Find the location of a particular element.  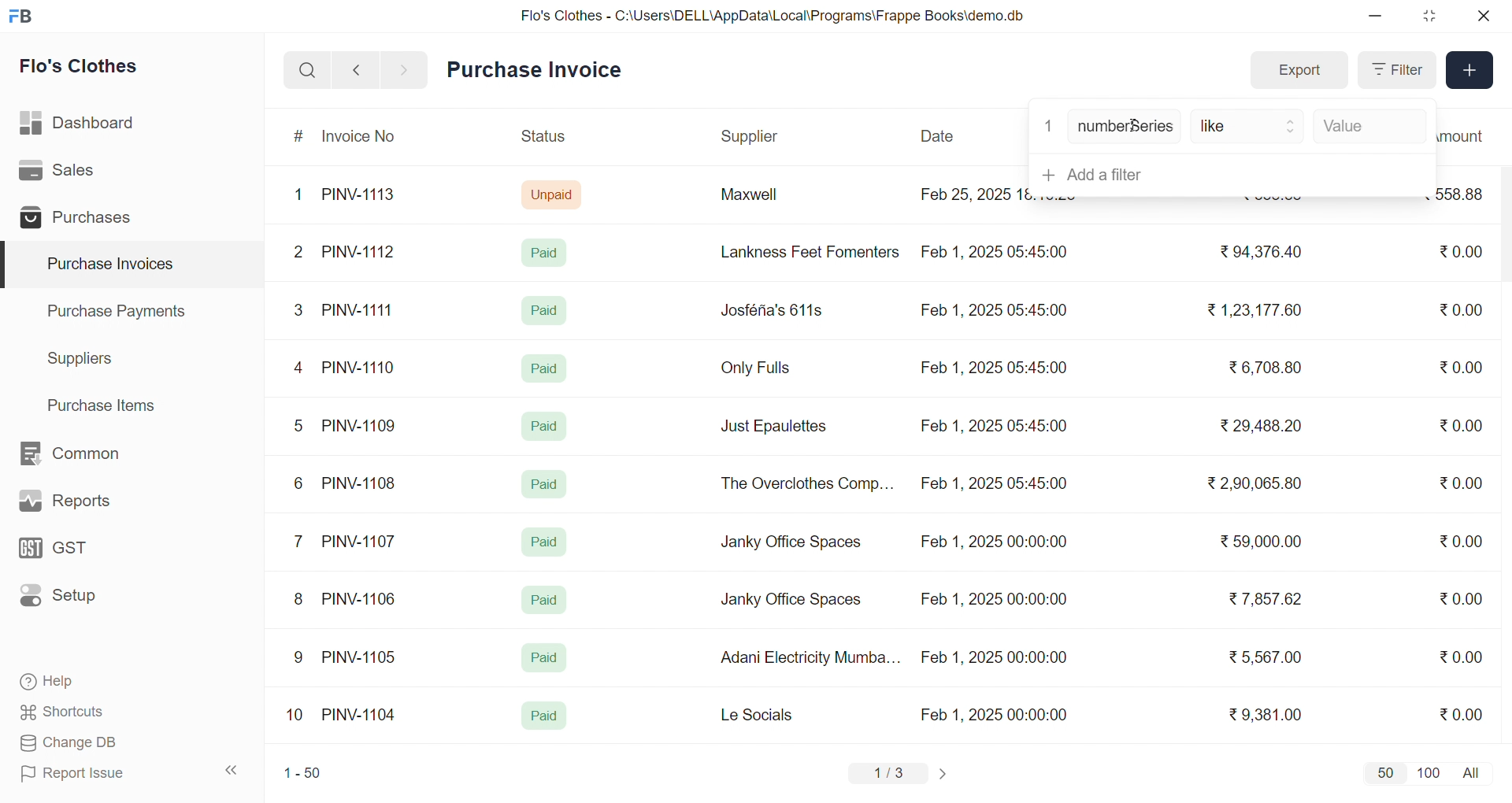

Suppliers is located at coordinates (83, 358).